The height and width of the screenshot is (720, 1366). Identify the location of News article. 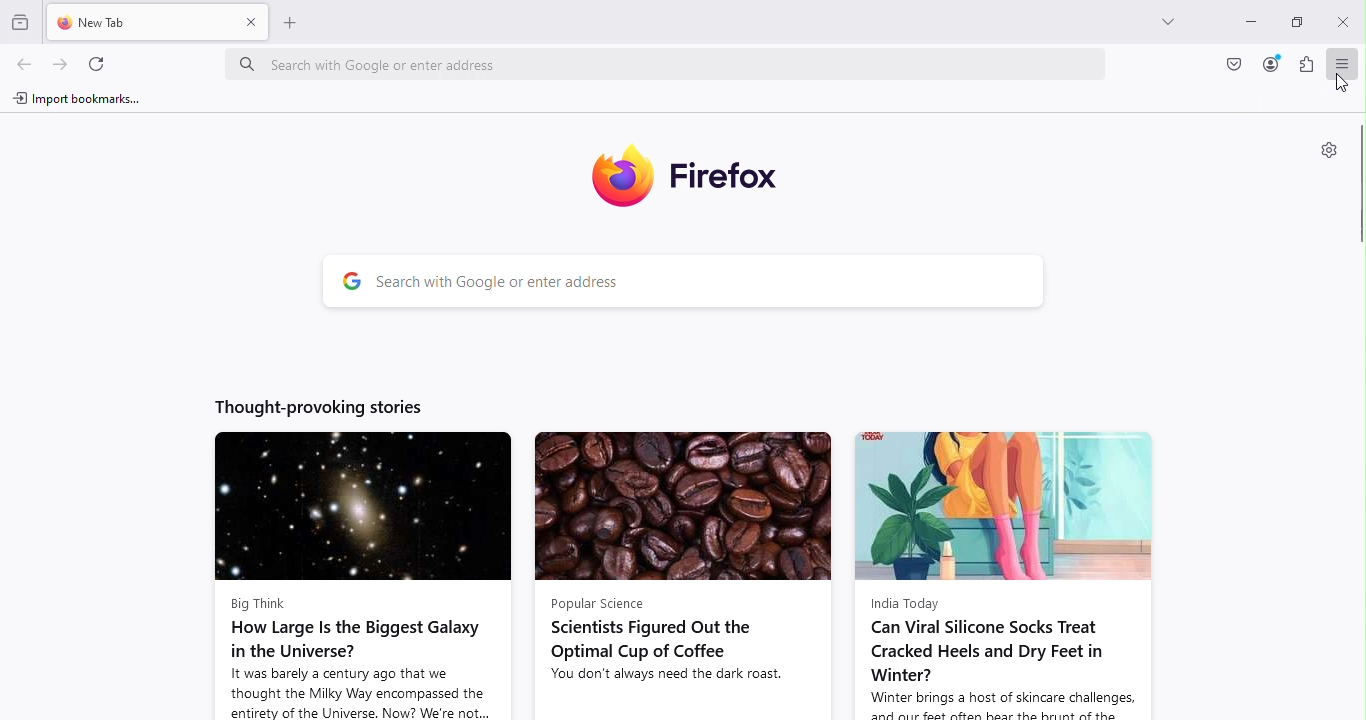
(682, 574).